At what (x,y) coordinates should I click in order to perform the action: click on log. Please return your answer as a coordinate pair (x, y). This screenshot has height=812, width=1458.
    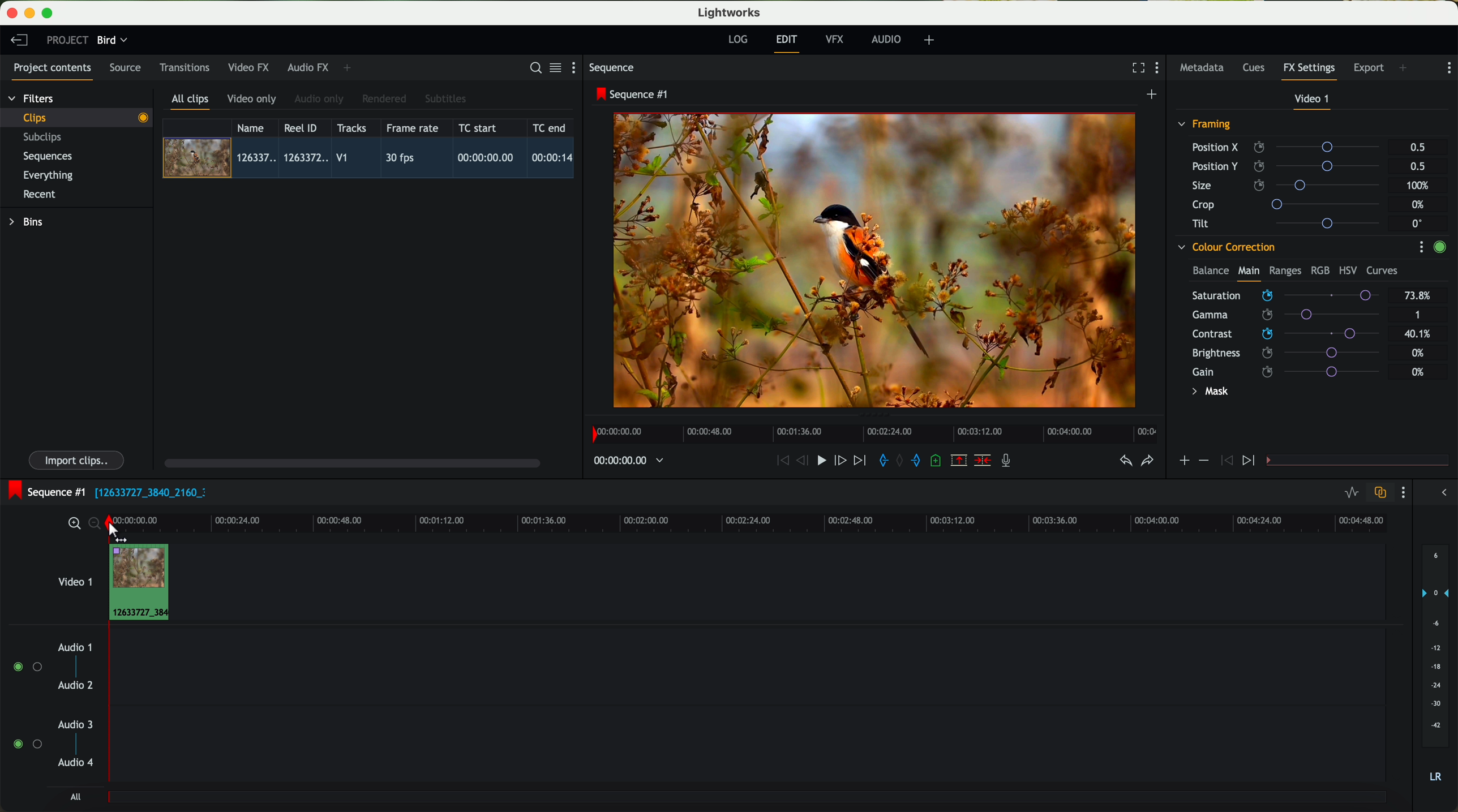
    Looking at the image, I should click on (737, 40).